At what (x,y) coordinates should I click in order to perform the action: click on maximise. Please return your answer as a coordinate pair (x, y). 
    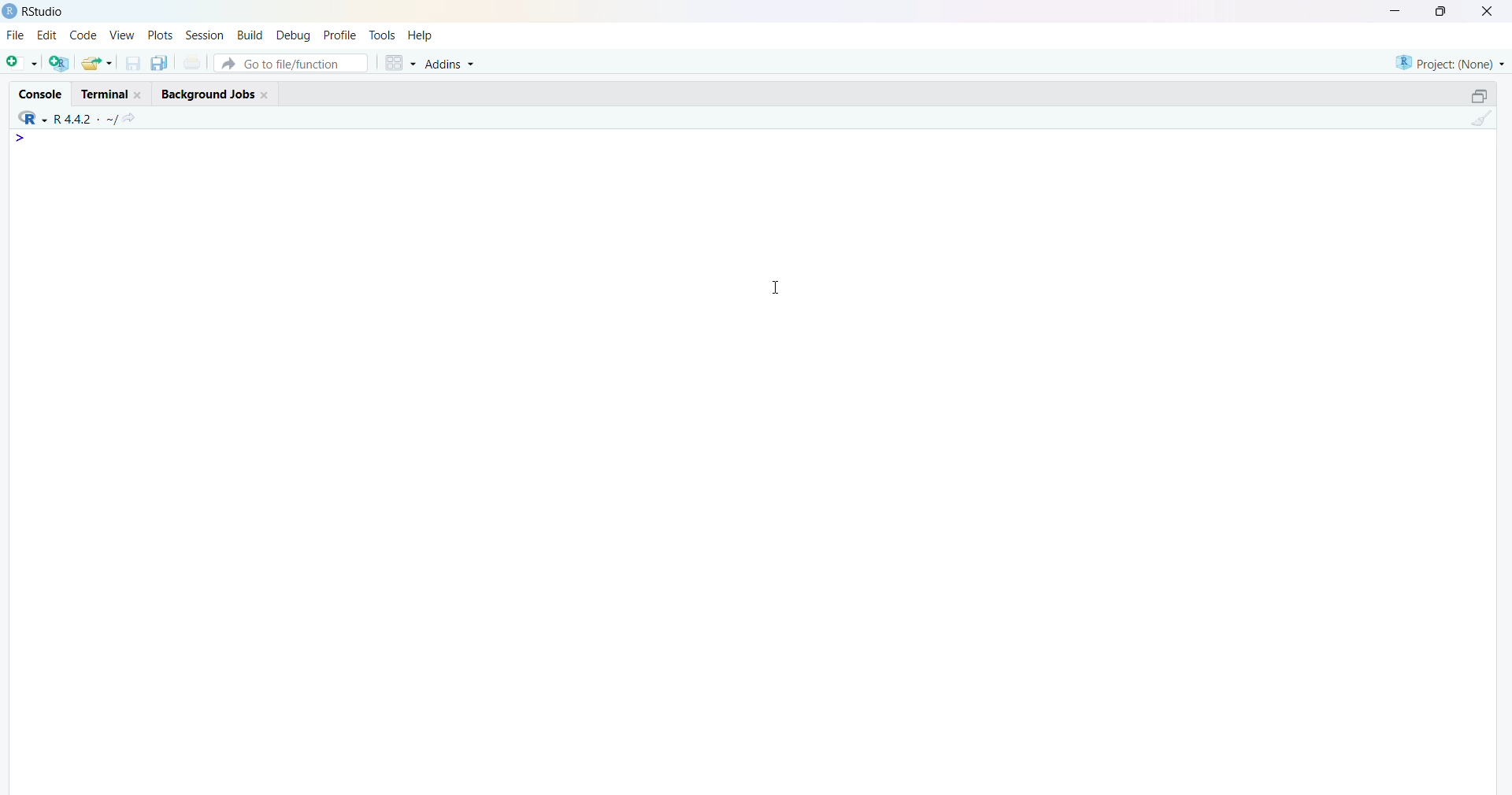
    Looking at the image, I should click on (1443, 11).